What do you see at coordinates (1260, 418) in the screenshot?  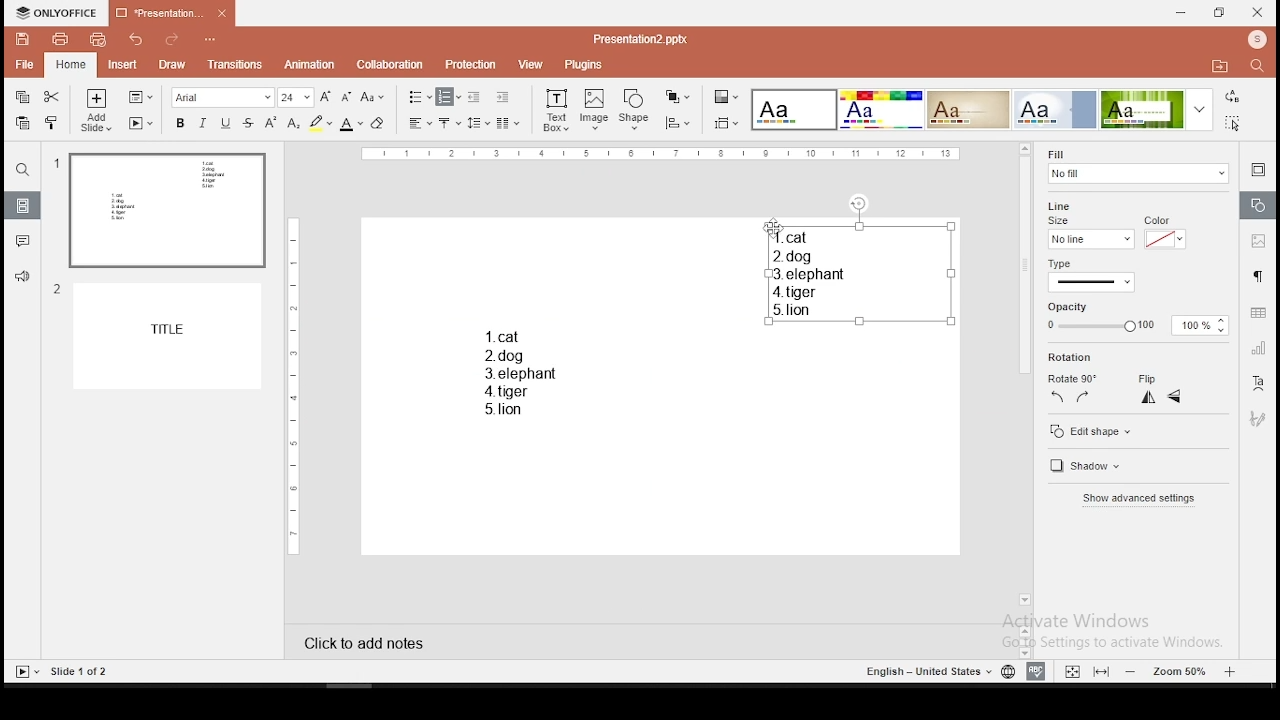 I see `art` at bounding box center [1260, 418].